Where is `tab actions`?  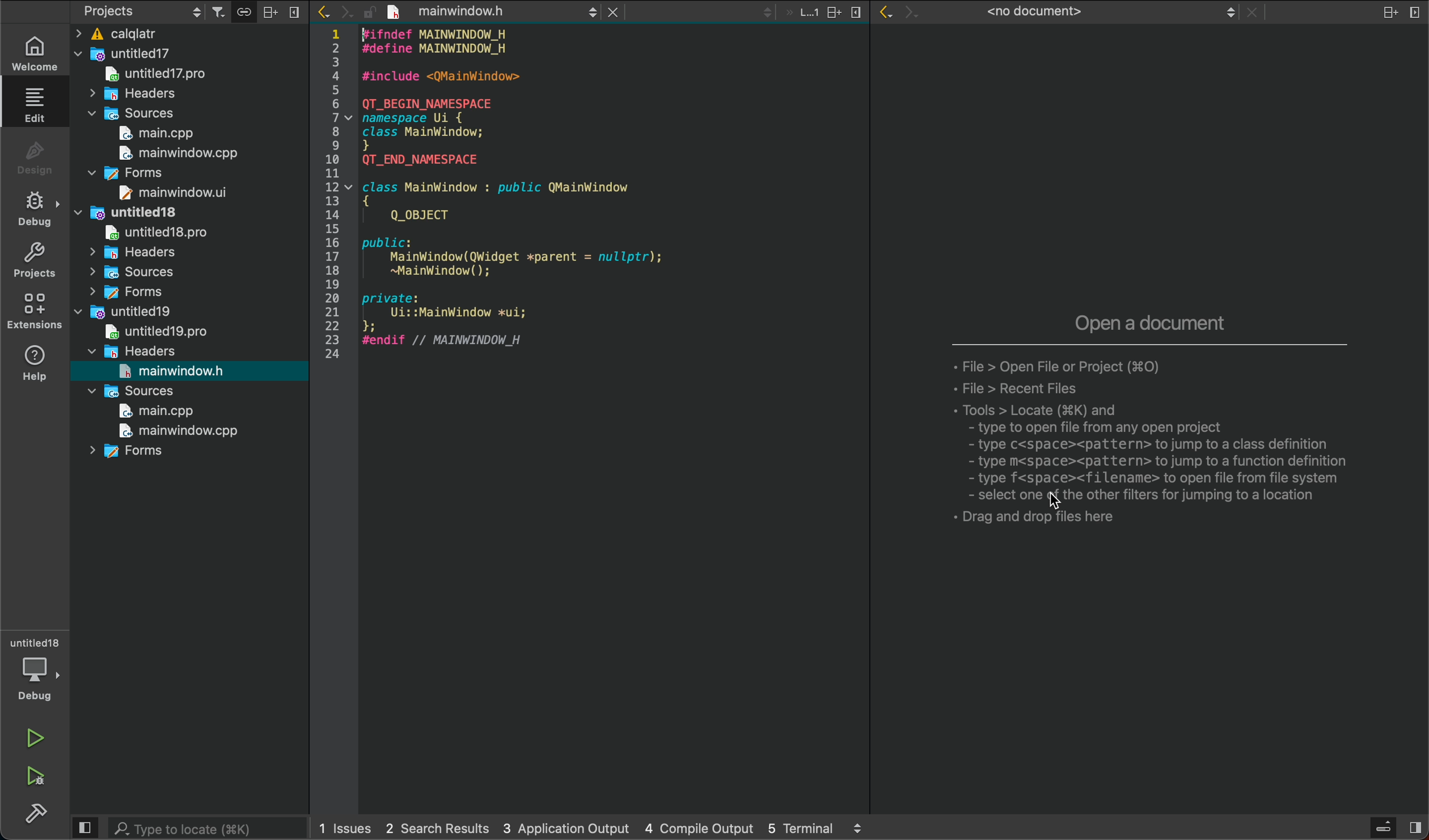
tab actions is located at coordinates (809, 12).